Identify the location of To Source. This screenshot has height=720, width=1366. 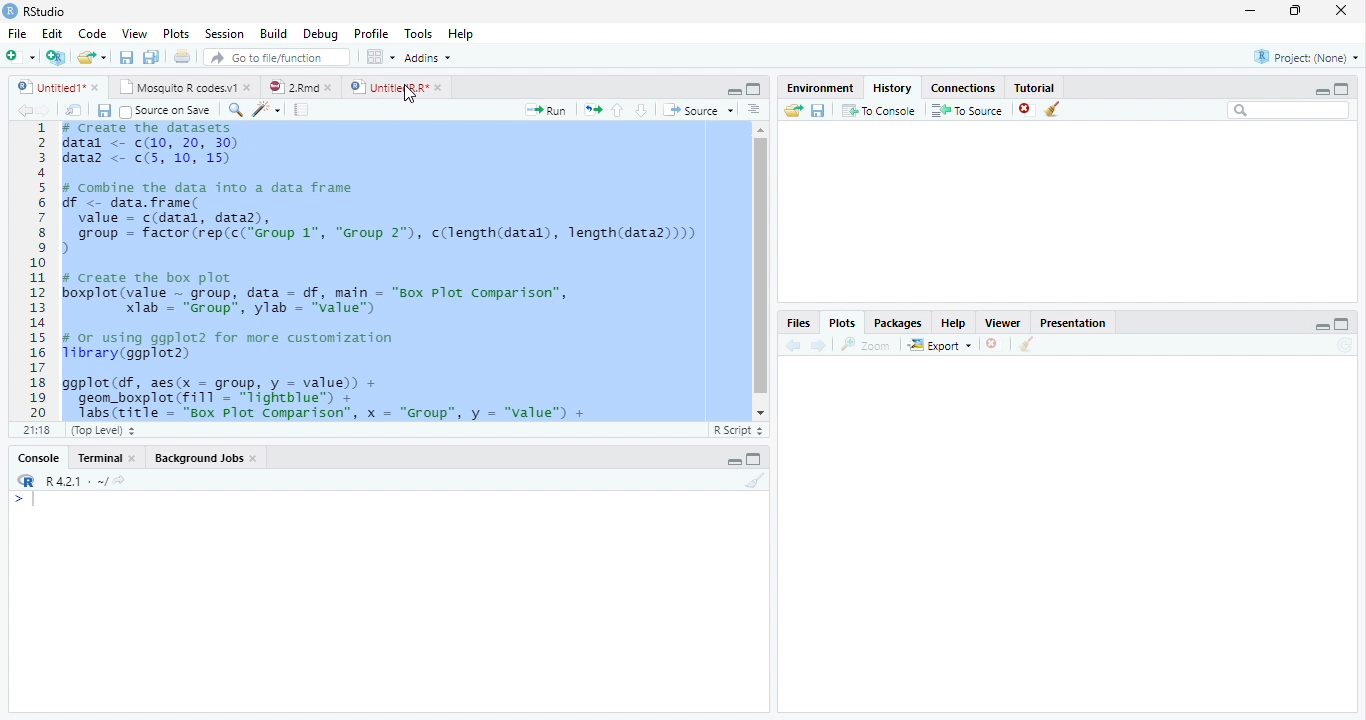
(968, 110).